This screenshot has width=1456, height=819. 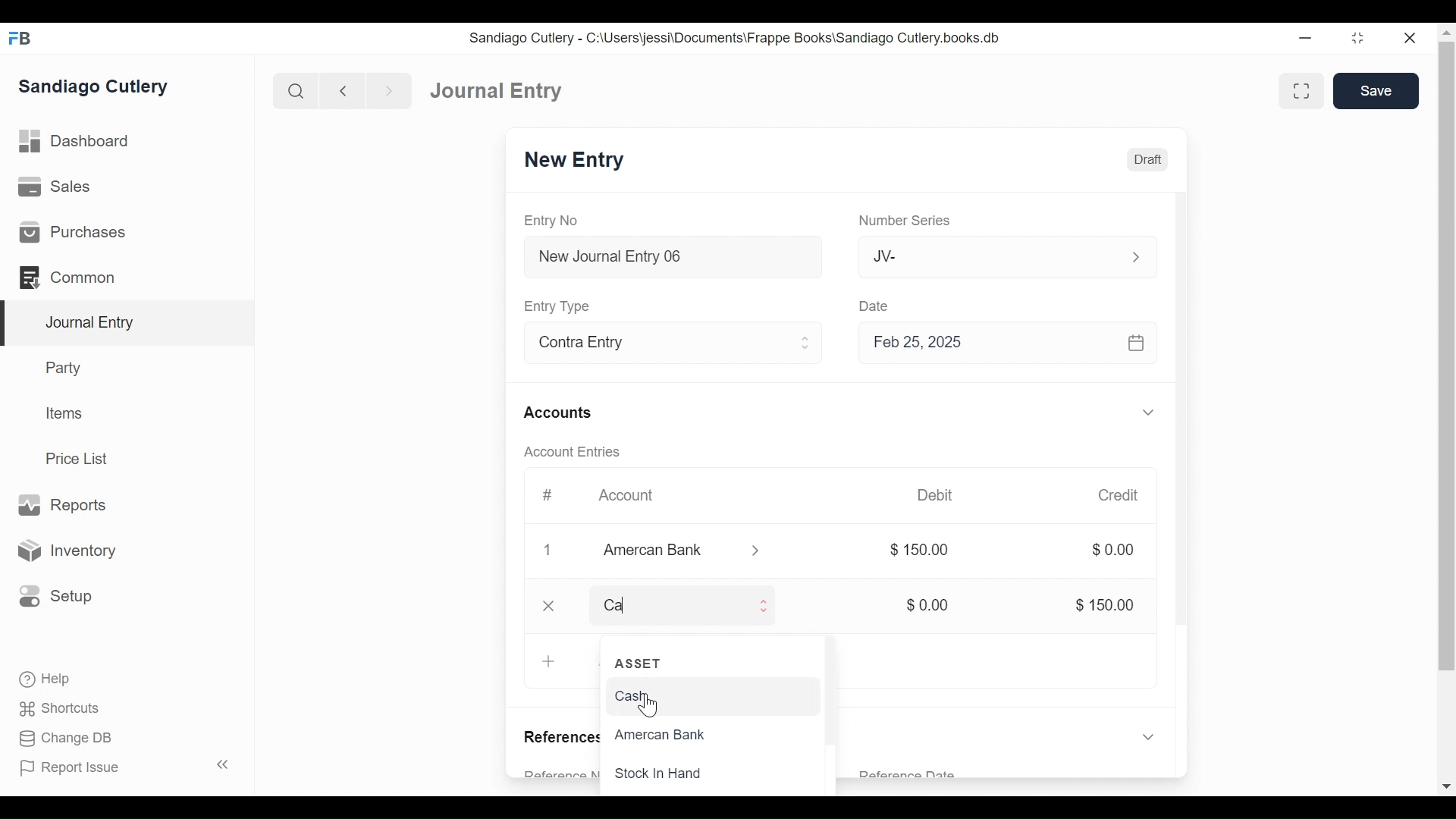 I want to click on Common, so click(x=75, y=278).